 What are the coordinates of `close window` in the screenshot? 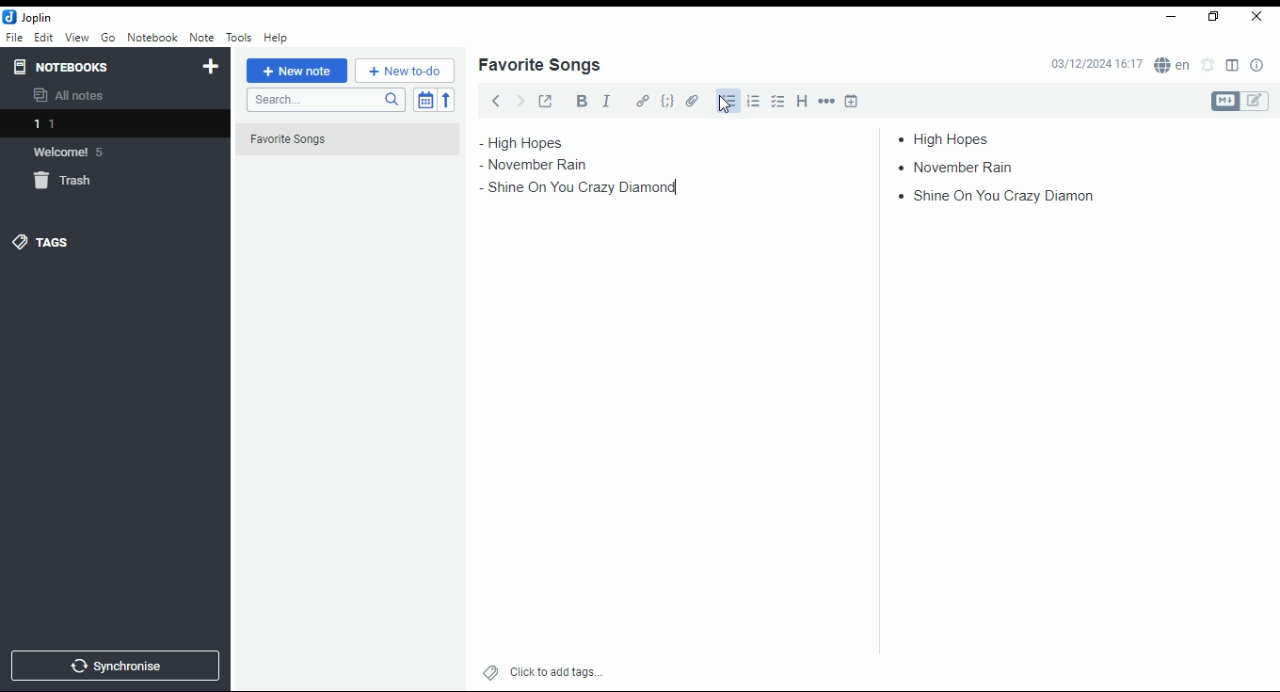 It's located at (1258, 17).